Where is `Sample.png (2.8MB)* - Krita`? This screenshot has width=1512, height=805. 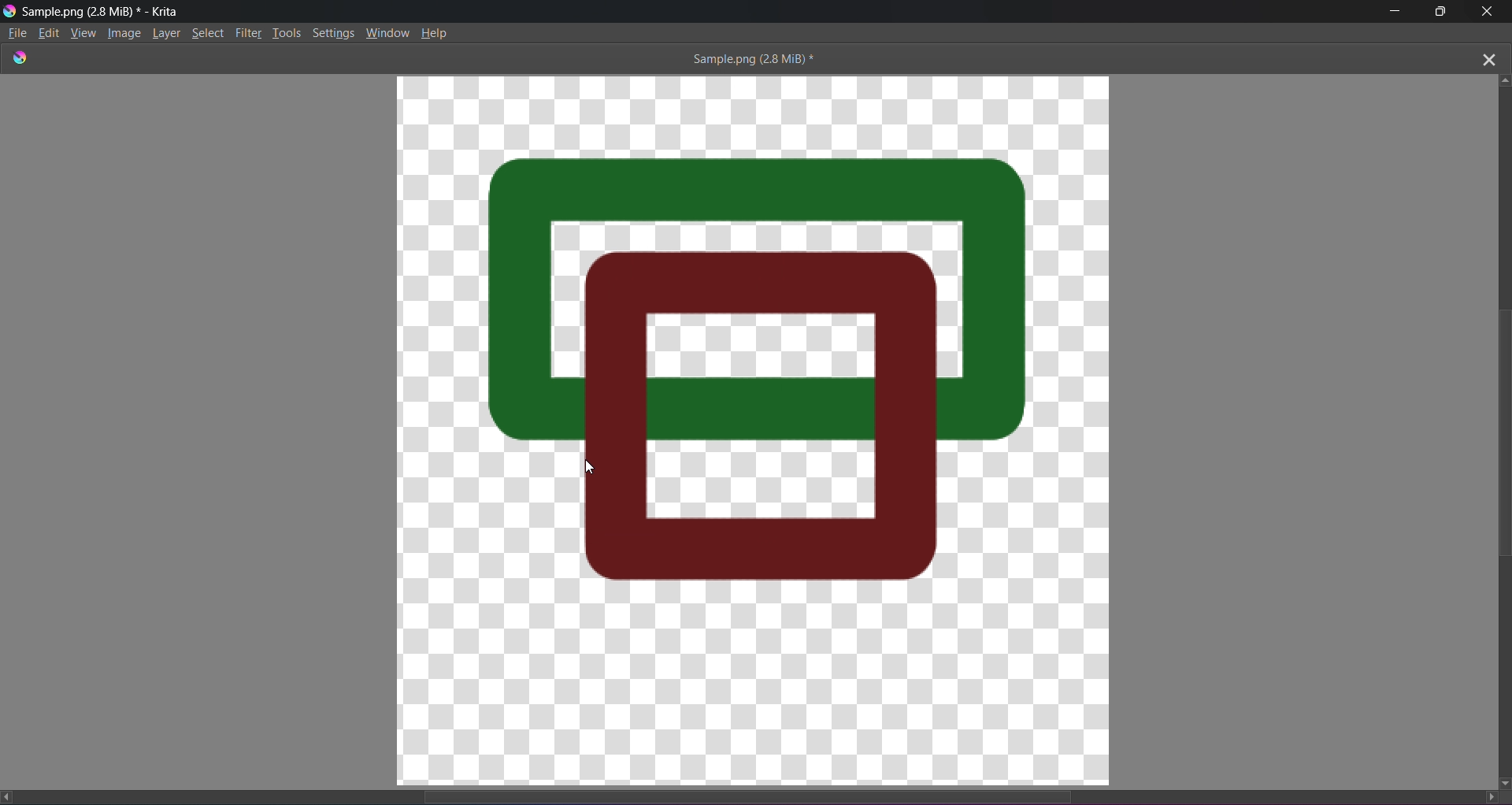
Sample.png (2.8MB)* - Krita is located at coordinates (102, 11).